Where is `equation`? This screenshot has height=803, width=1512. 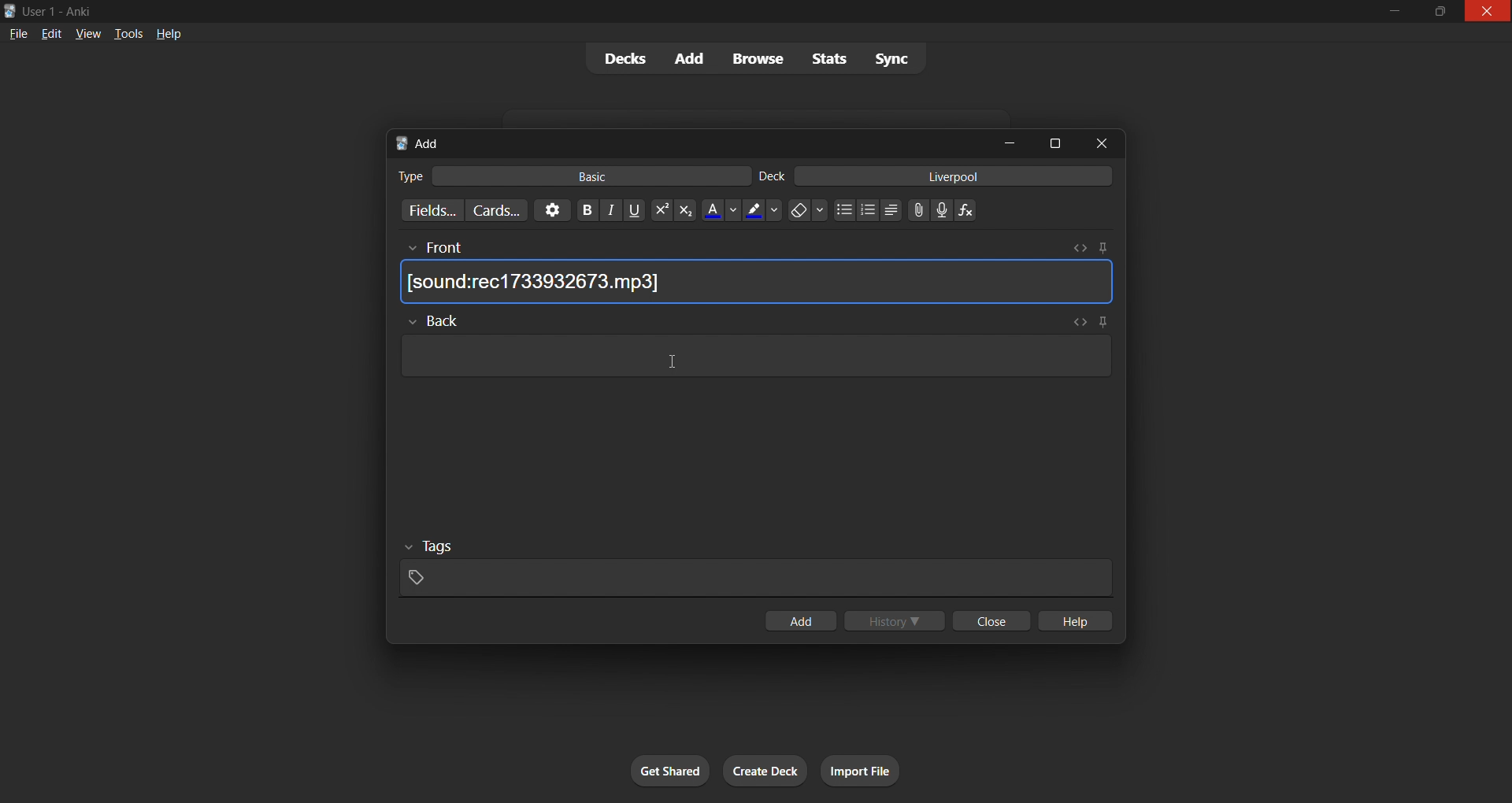 equation is located at coordinates (969, 211).